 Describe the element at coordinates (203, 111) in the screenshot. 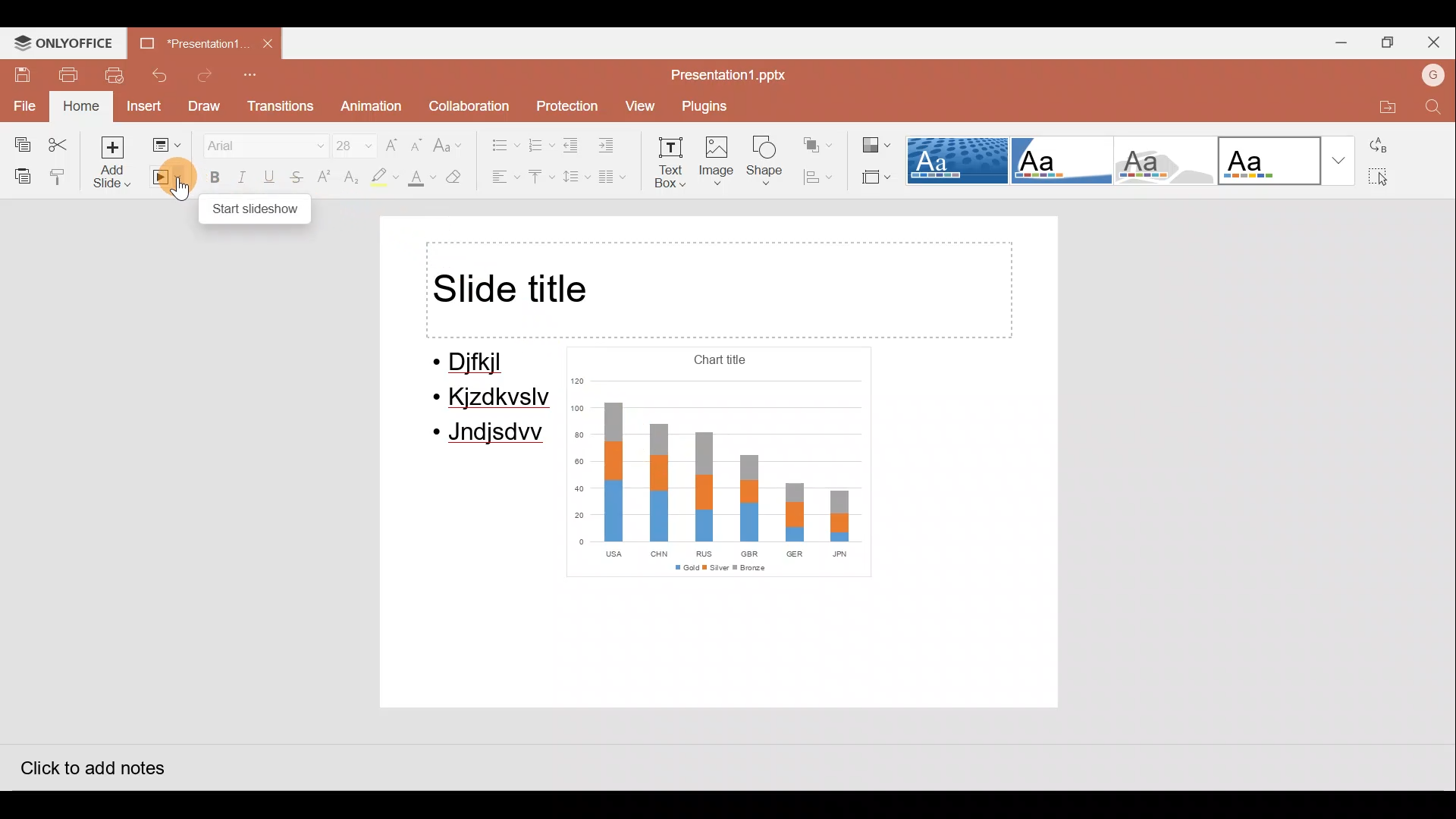

I see `Draw` at that location.